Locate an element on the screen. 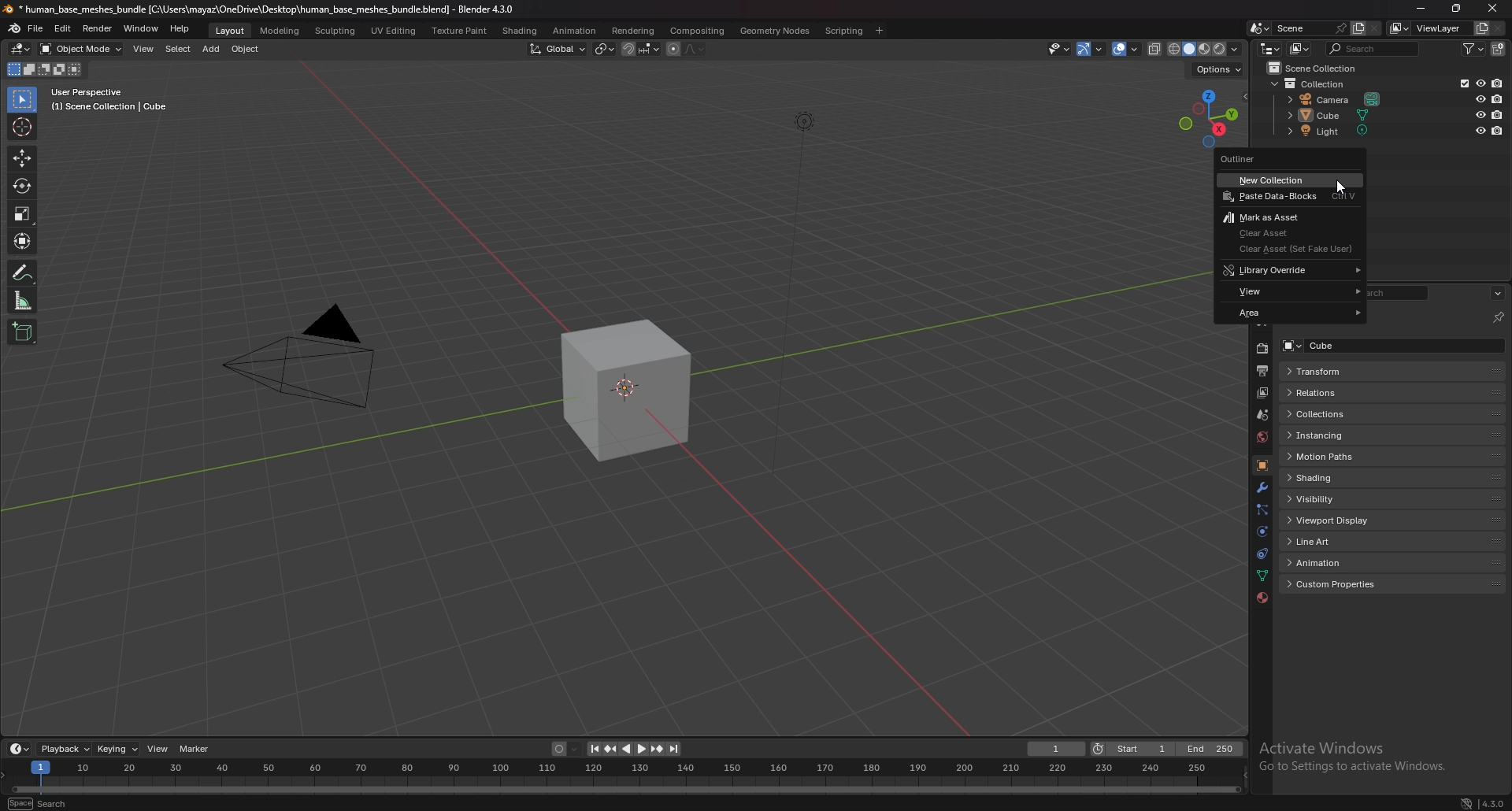  proportional editing objects is located at coordinates (687, 50).